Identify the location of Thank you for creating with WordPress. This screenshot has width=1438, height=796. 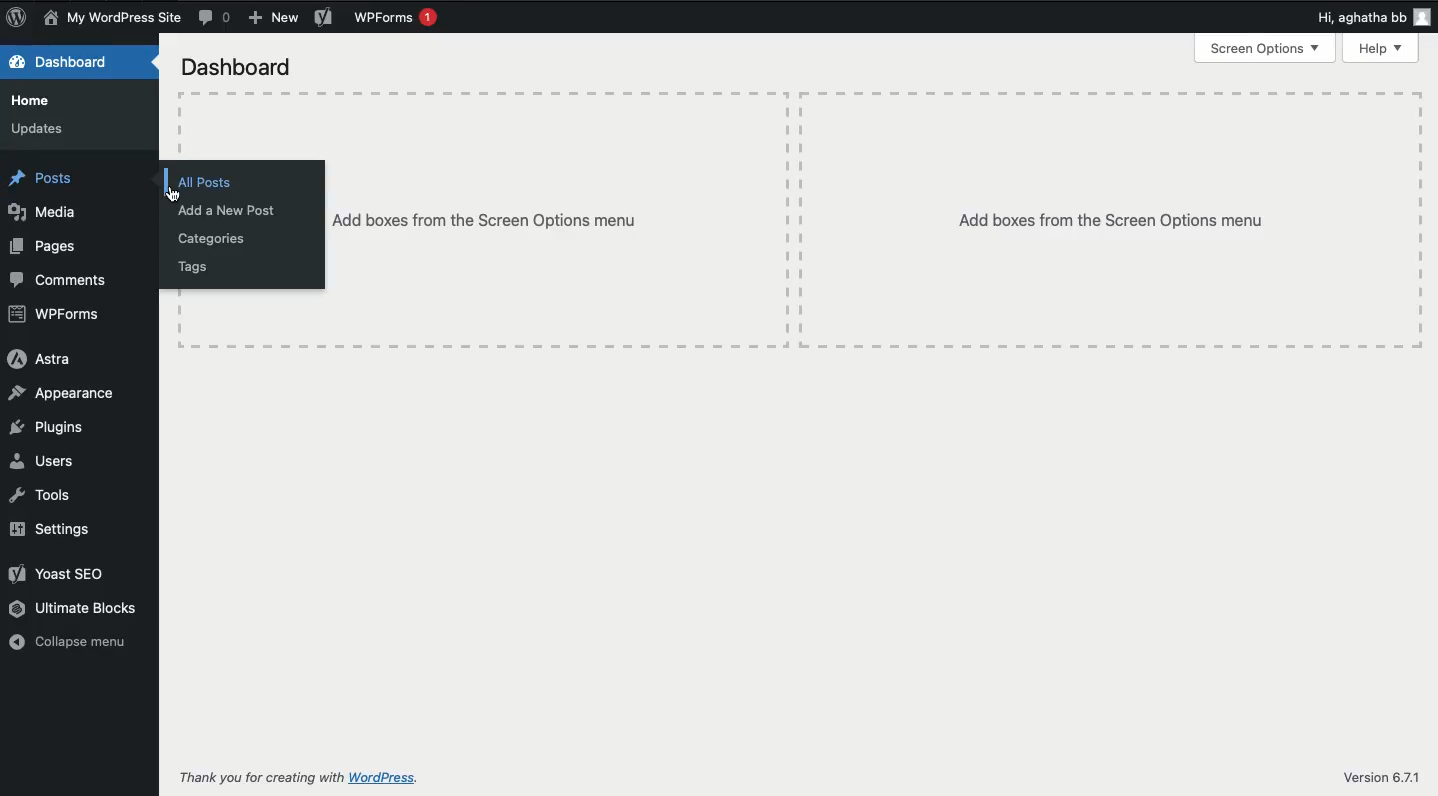
(297, 779).